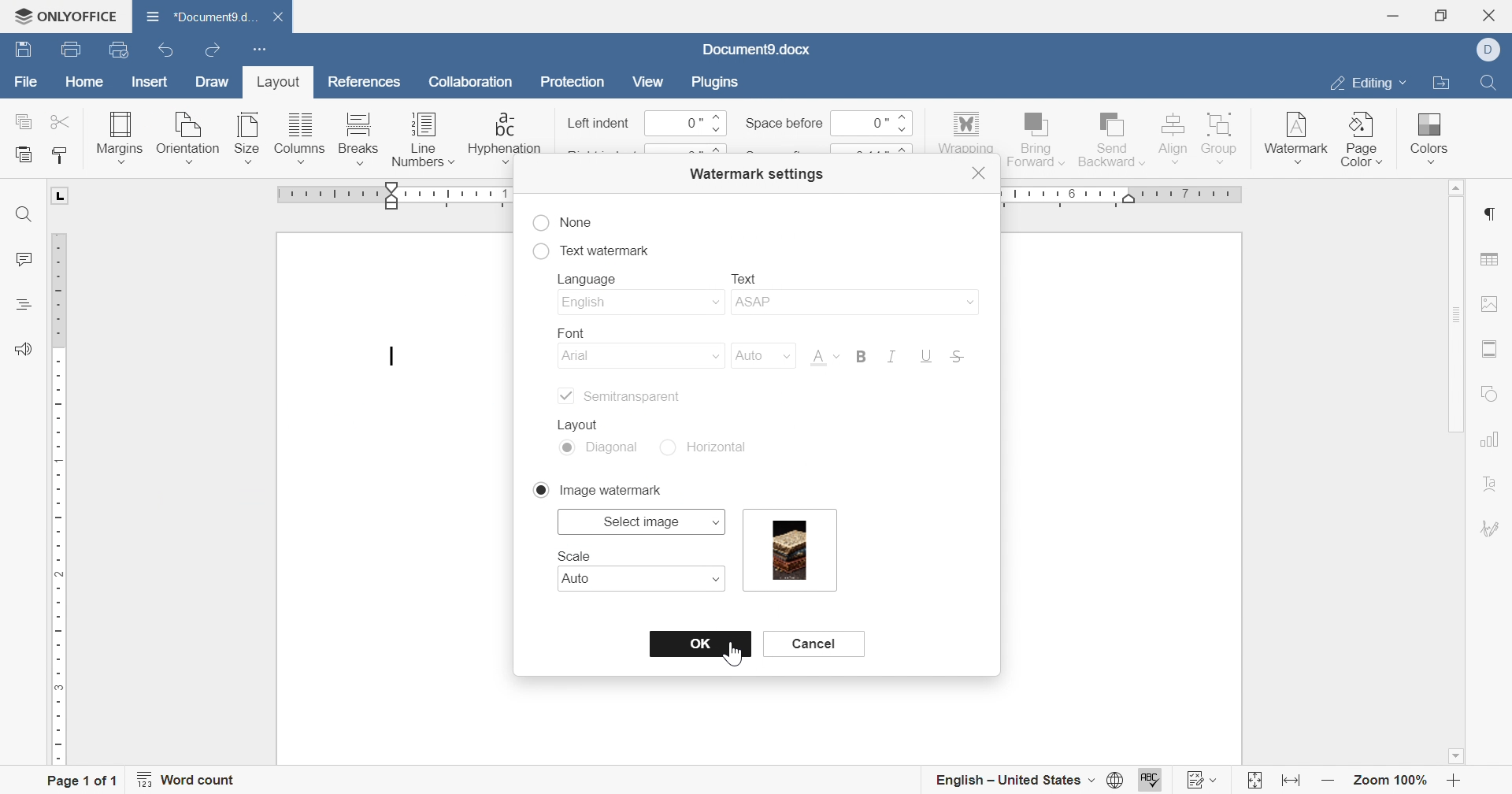  Describe the element at coordinates (758, 355) in the screenshot. I see `auto` at that location.